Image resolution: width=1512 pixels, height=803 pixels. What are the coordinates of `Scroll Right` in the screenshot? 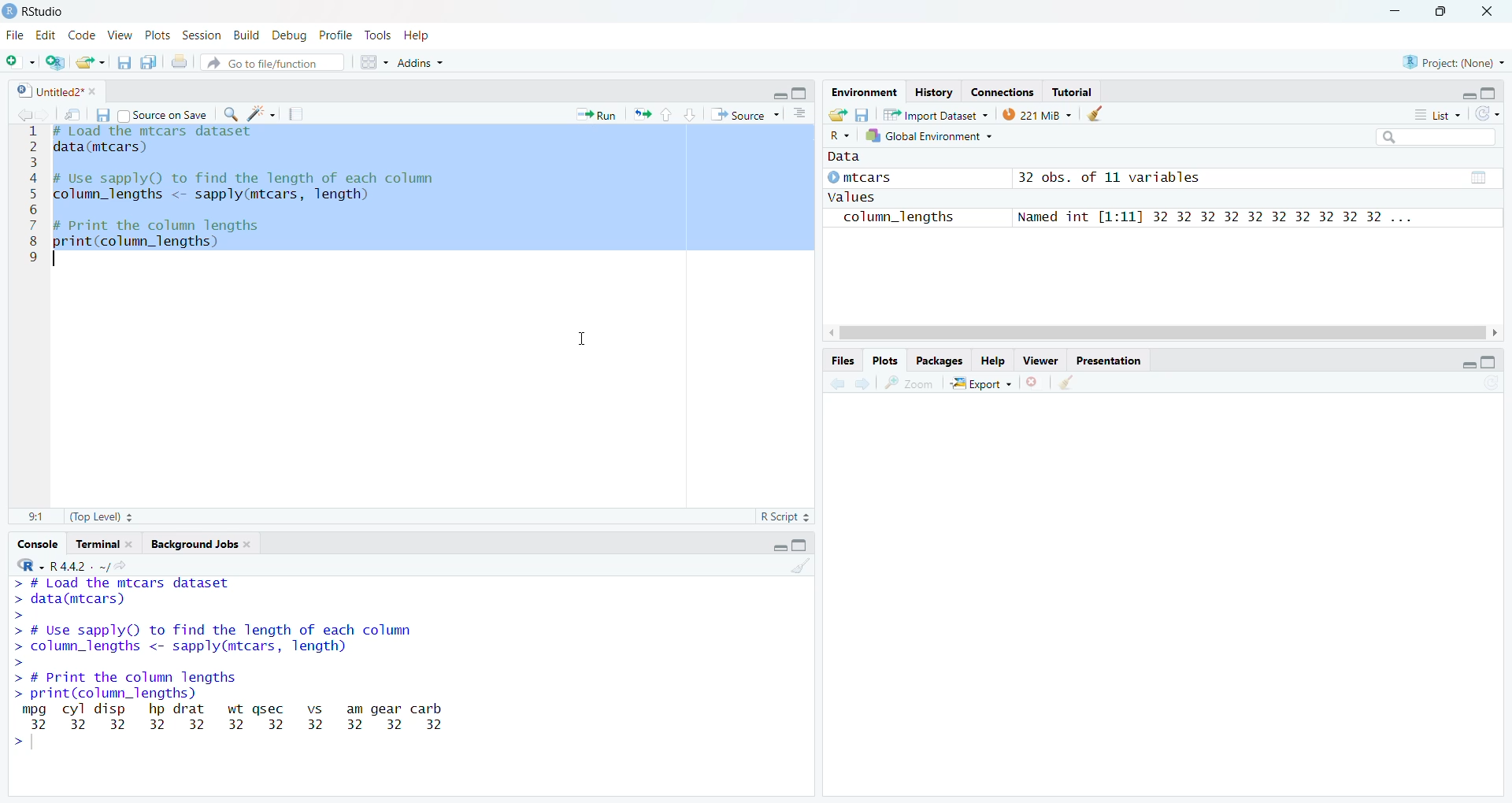 It's located at (1495, 333).